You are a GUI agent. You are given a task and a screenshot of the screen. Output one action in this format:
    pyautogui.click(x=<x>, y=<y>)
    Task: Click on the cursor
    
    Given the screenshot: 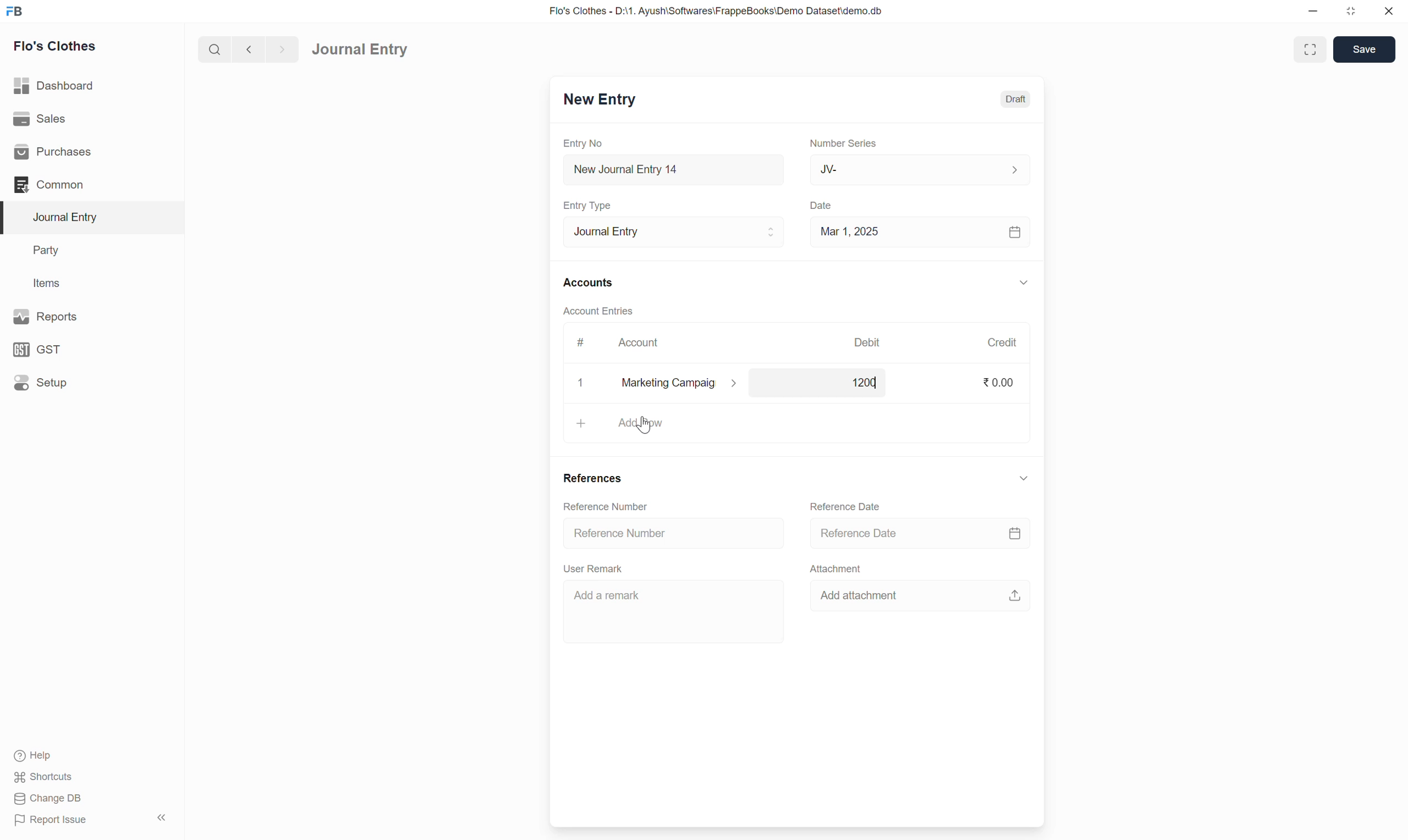 What is the action you would take?
    pyautogui.click(x=644, y=423)
    